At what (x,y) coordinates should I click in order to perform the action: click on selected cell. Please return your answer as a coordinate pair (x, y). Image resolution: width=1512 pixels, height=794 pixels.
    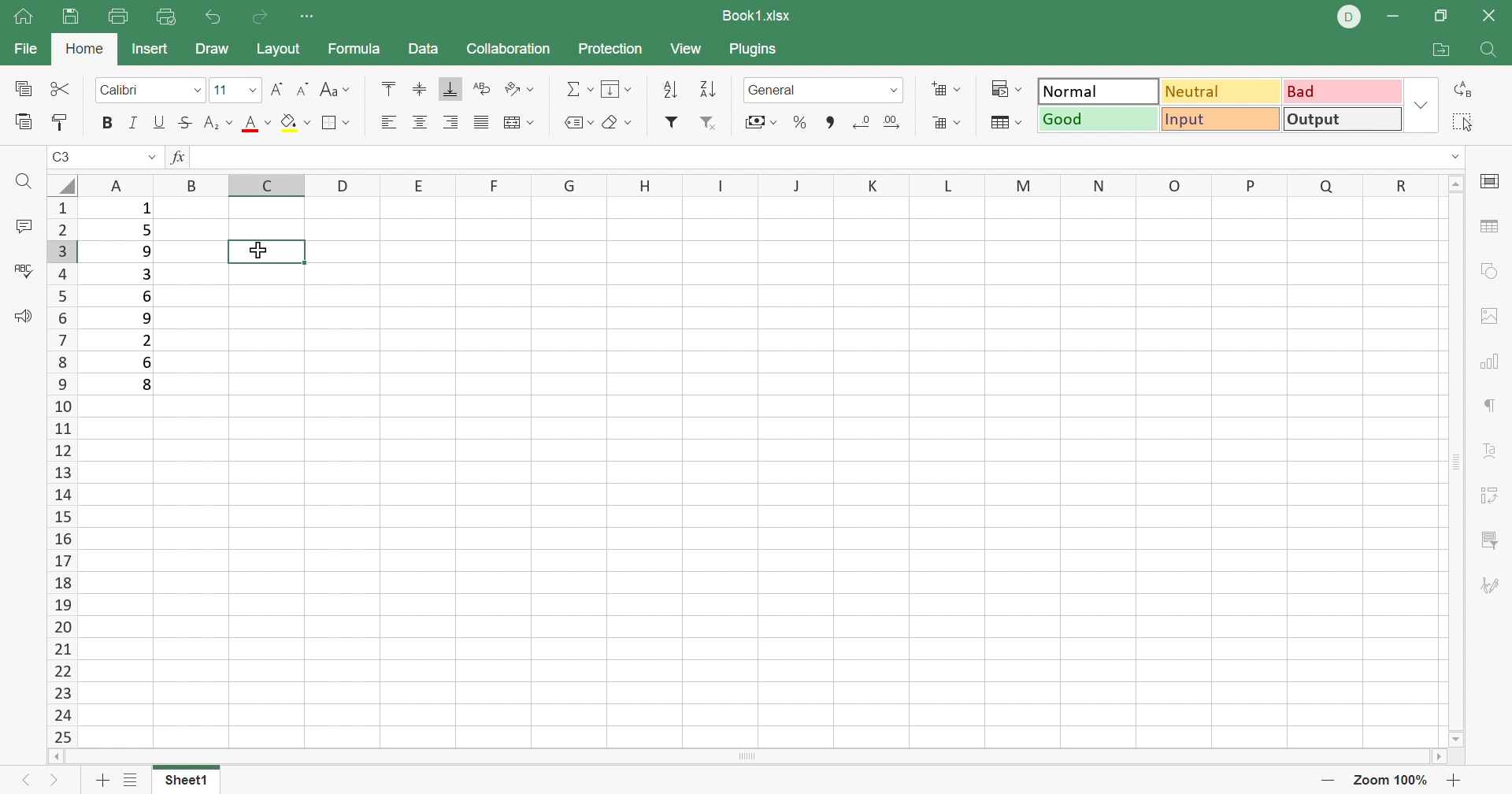
    Looking at the image, I should click on (268, 252).